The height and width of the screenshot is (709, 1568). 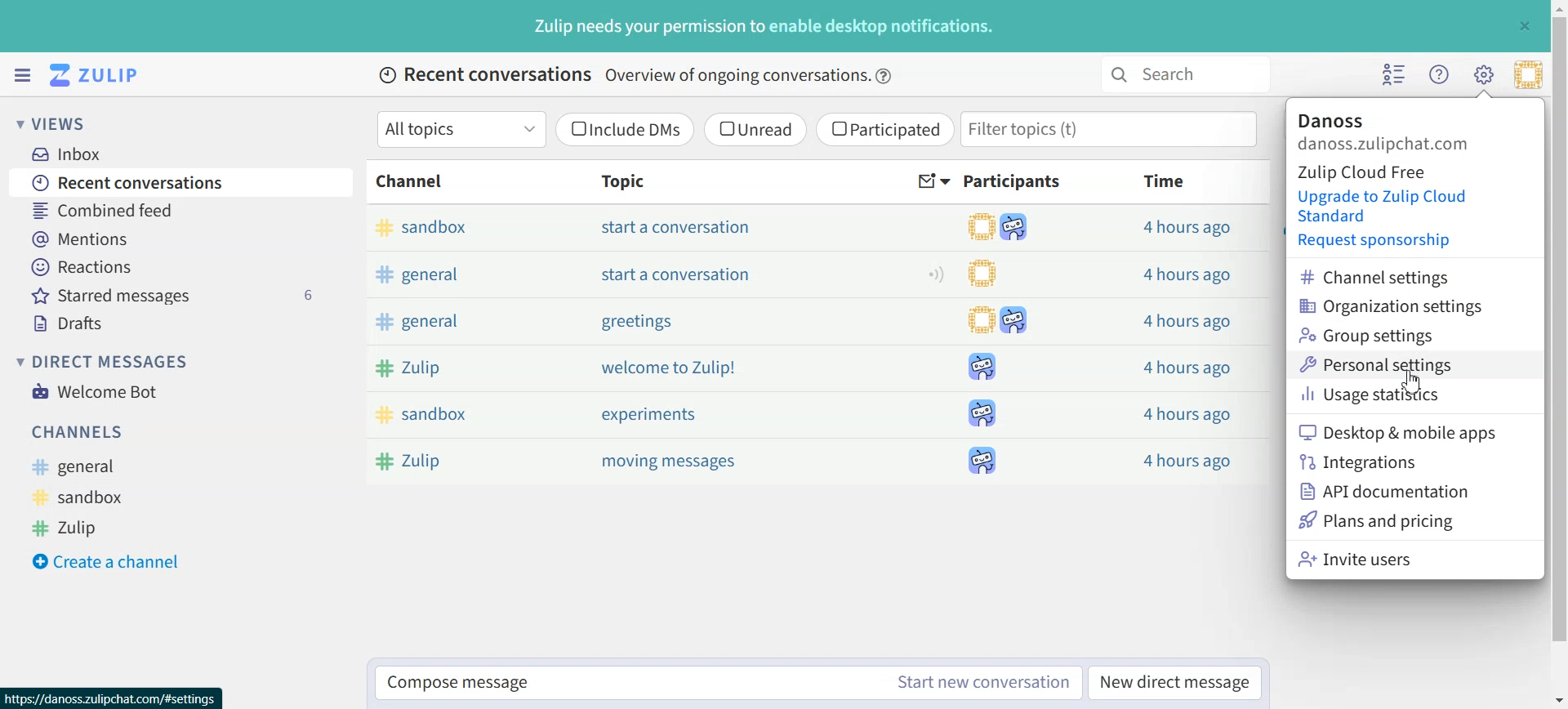 I want to click on Channels, so click(x=80, y=431).